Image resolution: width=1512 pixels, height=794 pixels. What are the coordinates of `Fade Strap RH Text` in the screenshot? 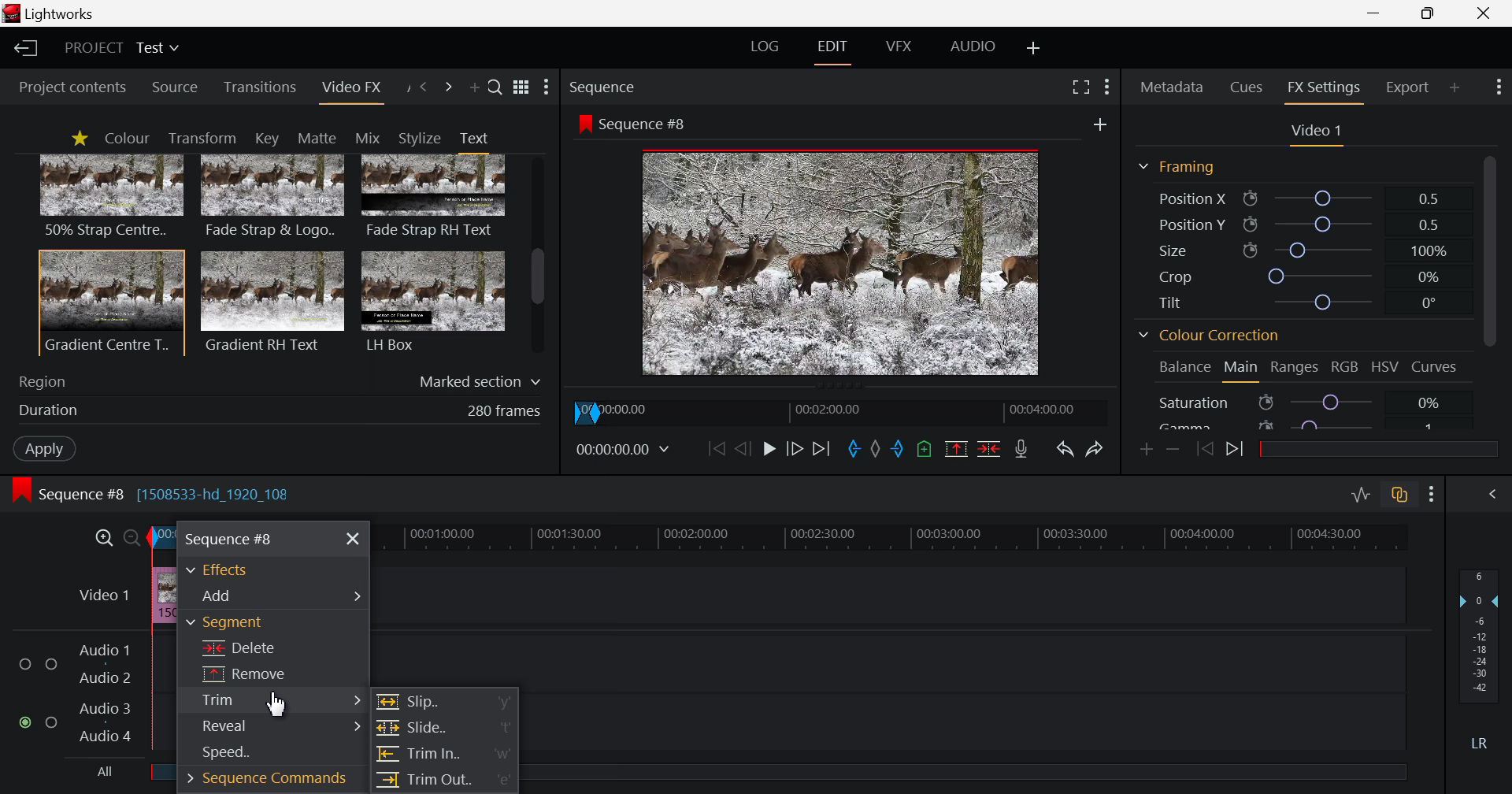 It's located at (435, 197).